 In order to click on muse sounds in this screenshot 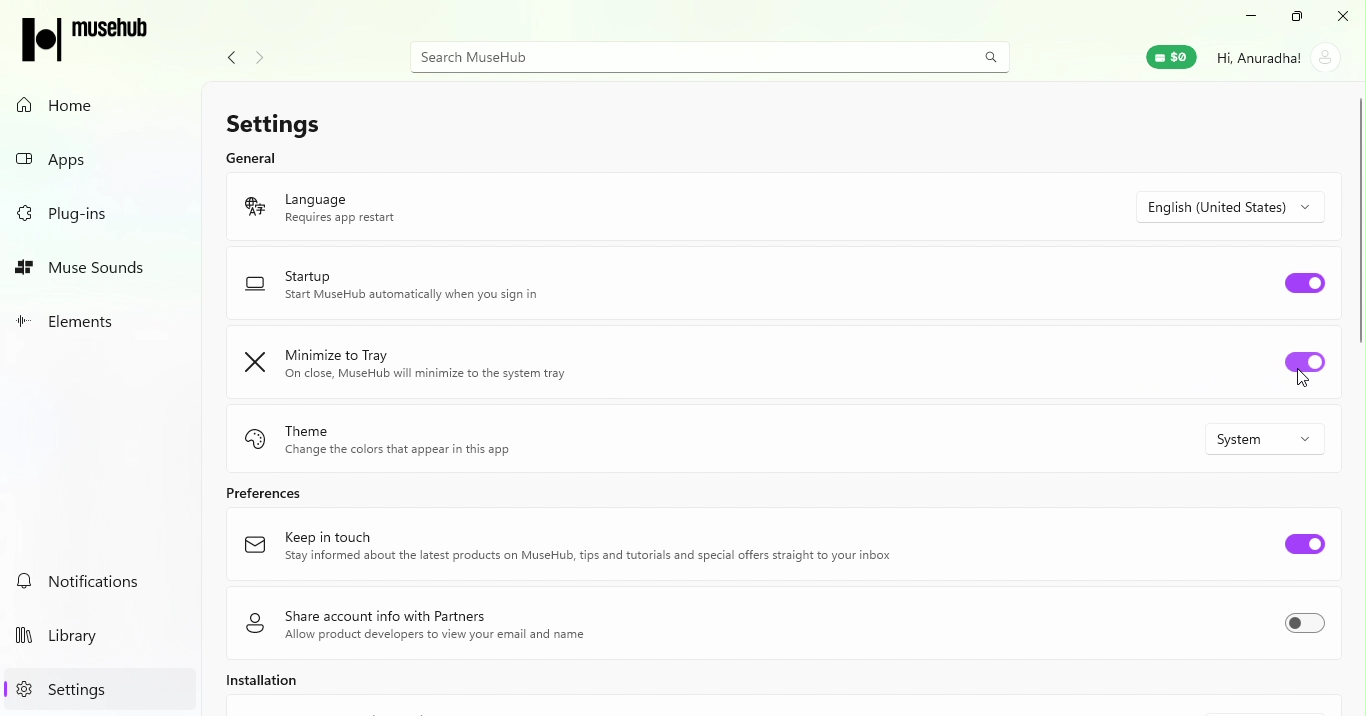, I will do `click(86, 270)`.